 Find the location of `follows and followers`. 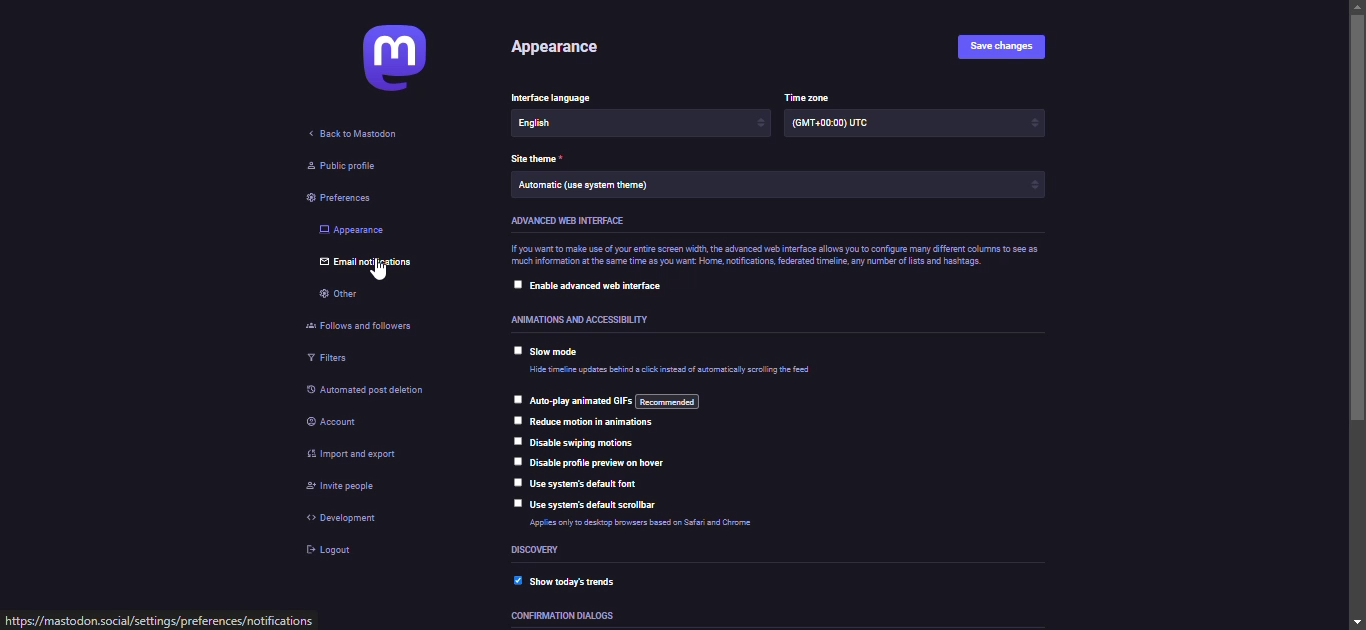

follows and followers is located at coordinates (365, 325).